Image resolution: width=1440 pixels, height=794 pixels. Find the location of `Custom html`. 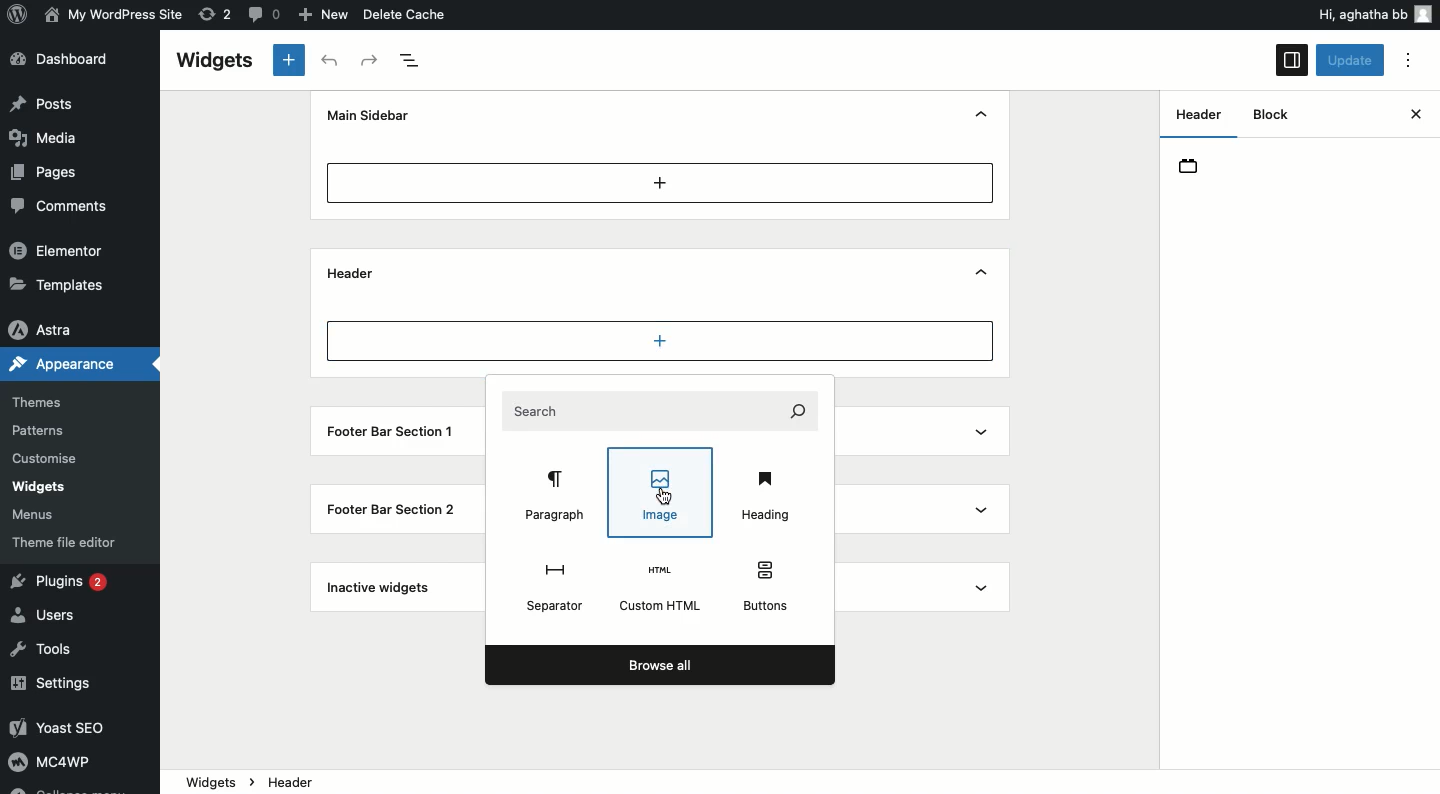

Custom html is located at coordinates (661, 588).